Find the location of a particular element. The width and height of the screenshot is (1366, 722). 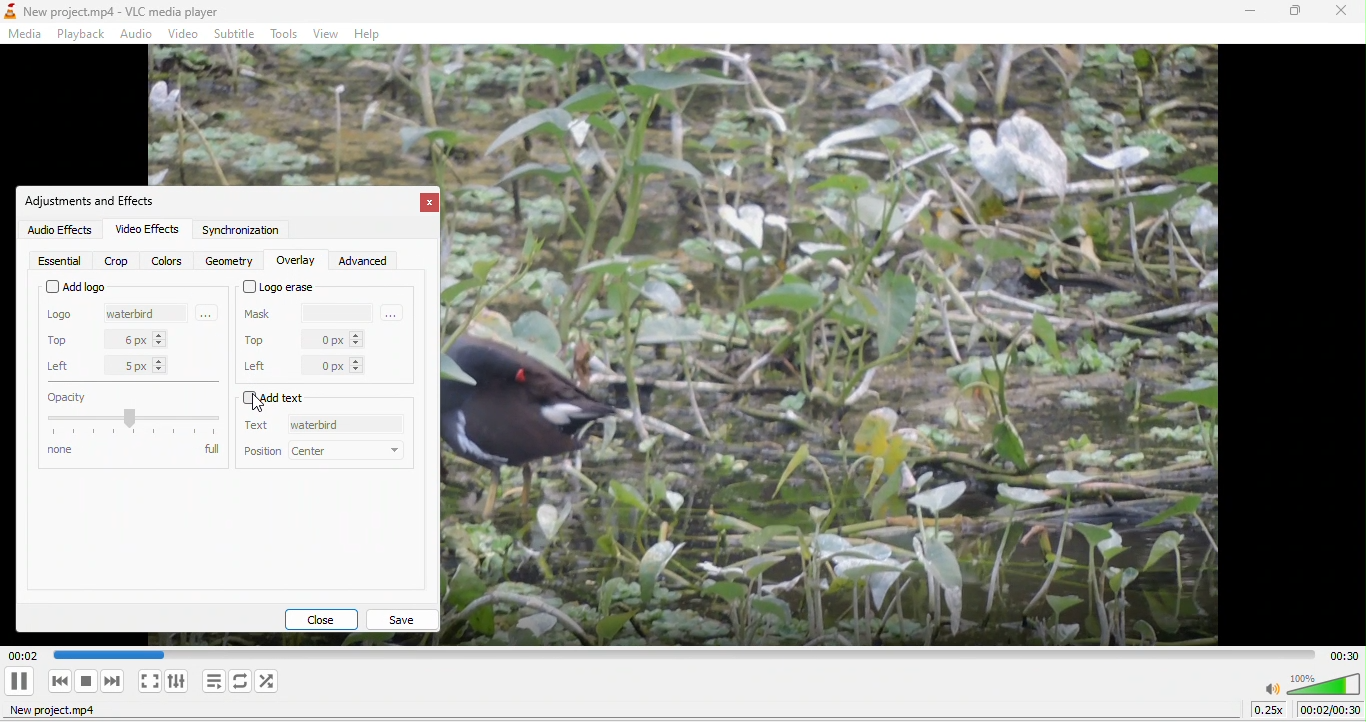

media is located at coordinates (24, 36).